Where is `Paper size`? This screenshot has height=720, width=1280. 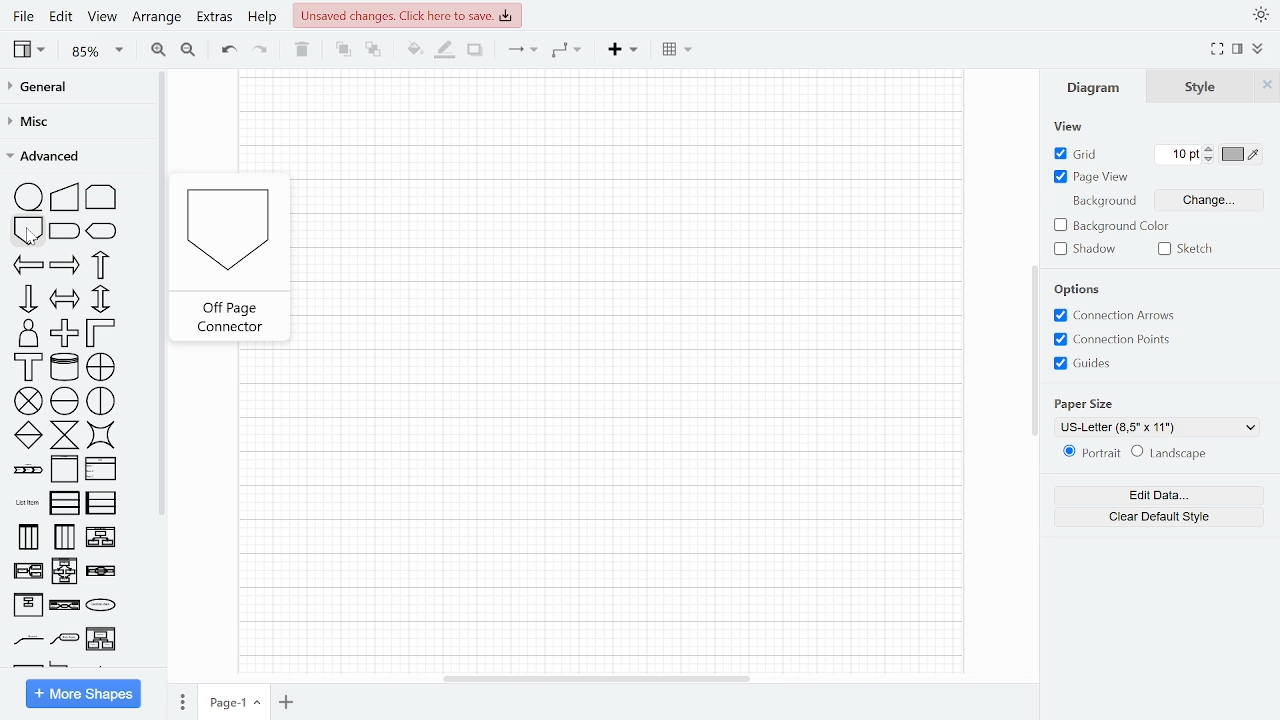 Paper size is located at coordinates (1088, 404).